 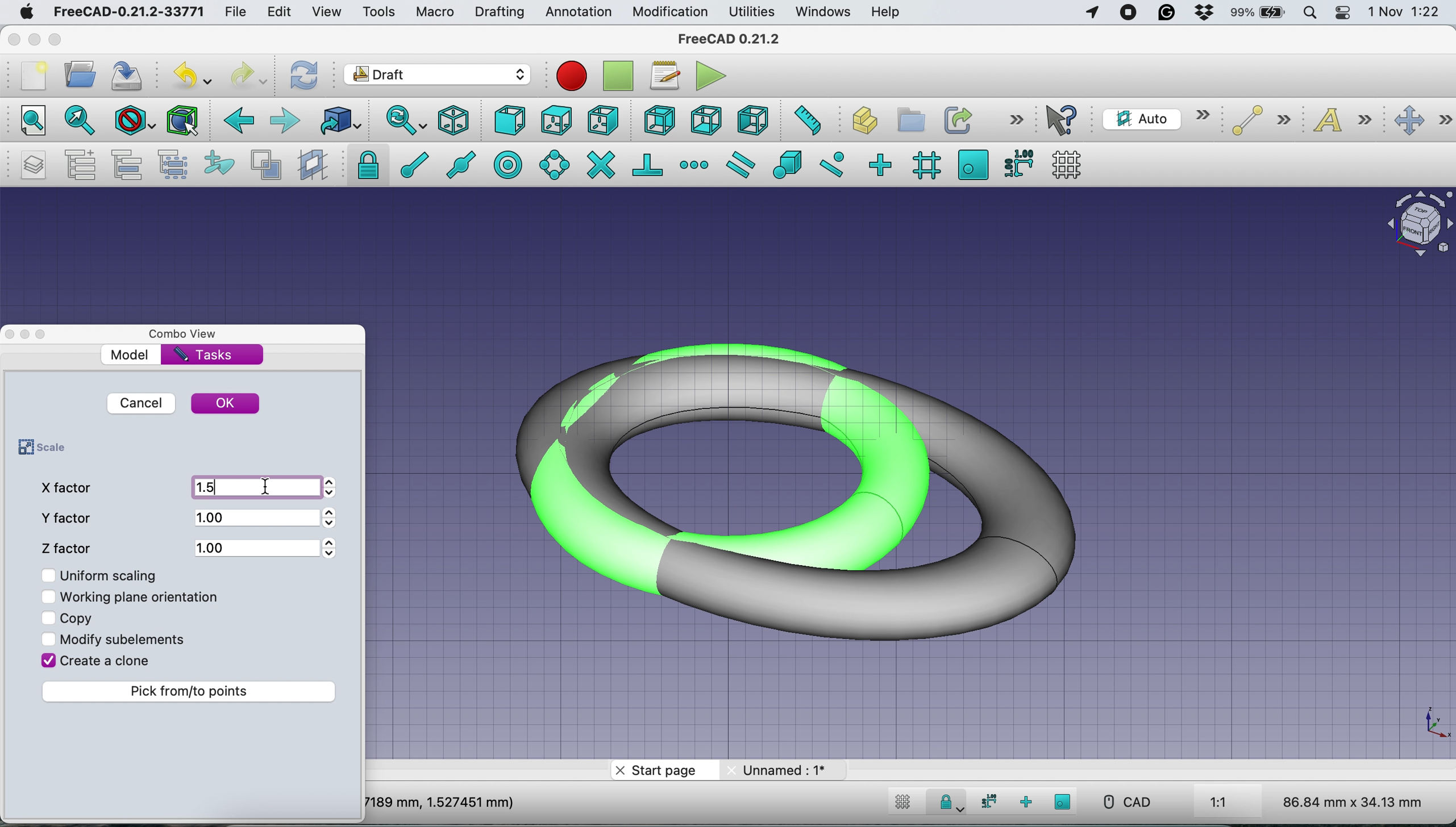 What do you see at coordinates (9, 335) in the screenshot?
I see `close dock view` at bounding box center [9, 335].